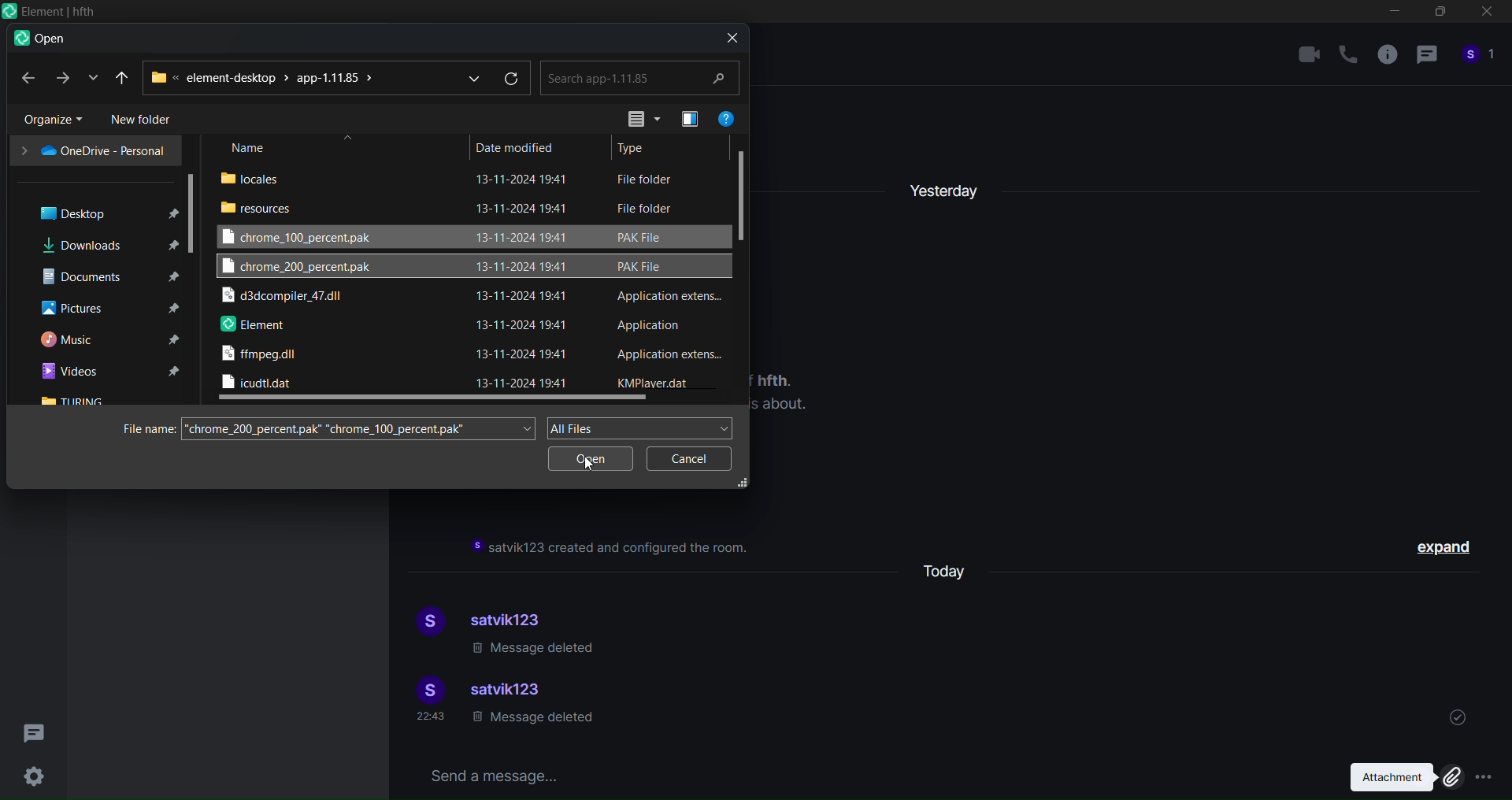 The width and height of the screenshot is (1512, 800). I want to click on message deleted, so click(535, 650).